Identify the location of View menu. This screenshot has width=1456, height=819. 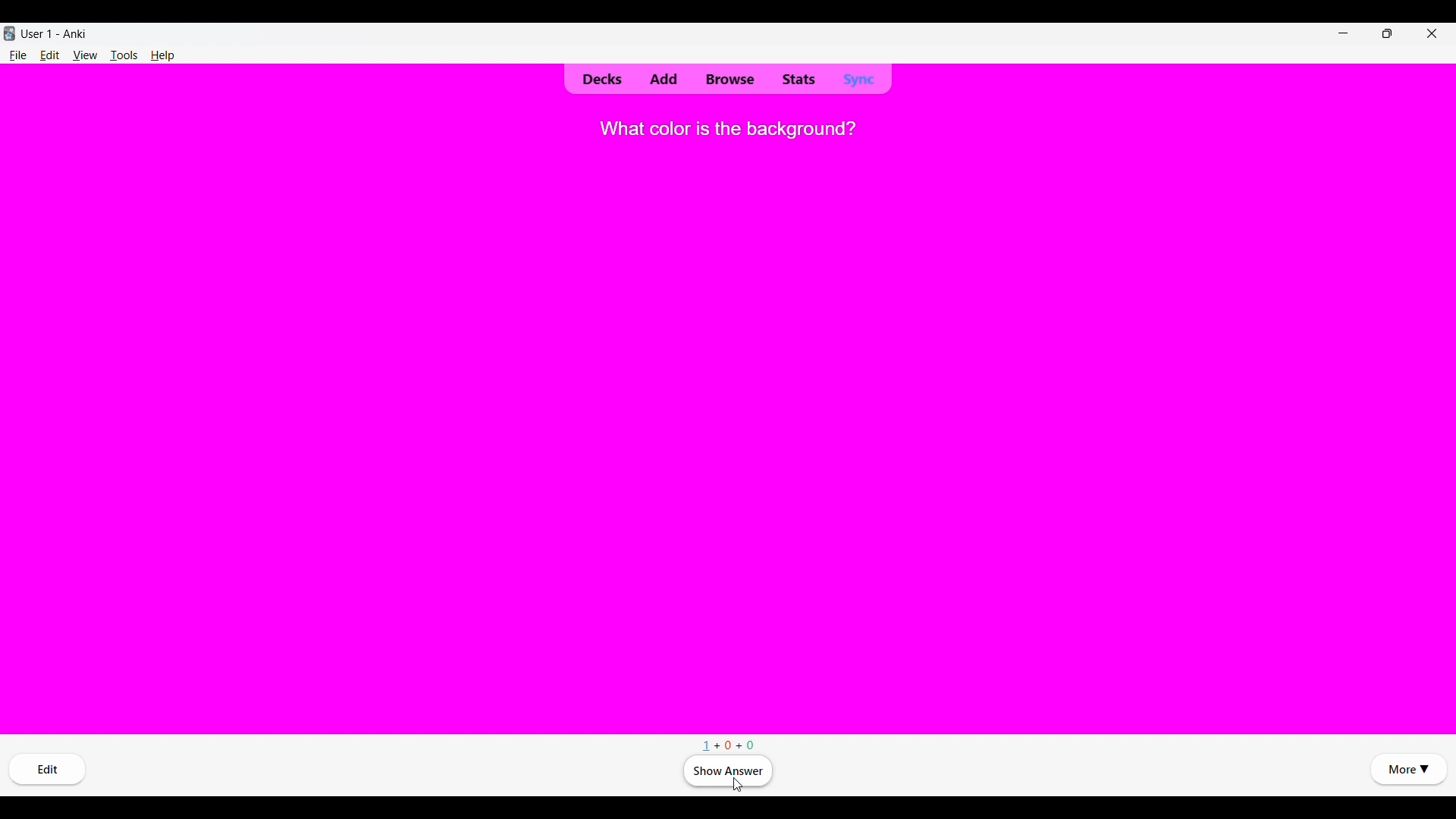
(86, 55).